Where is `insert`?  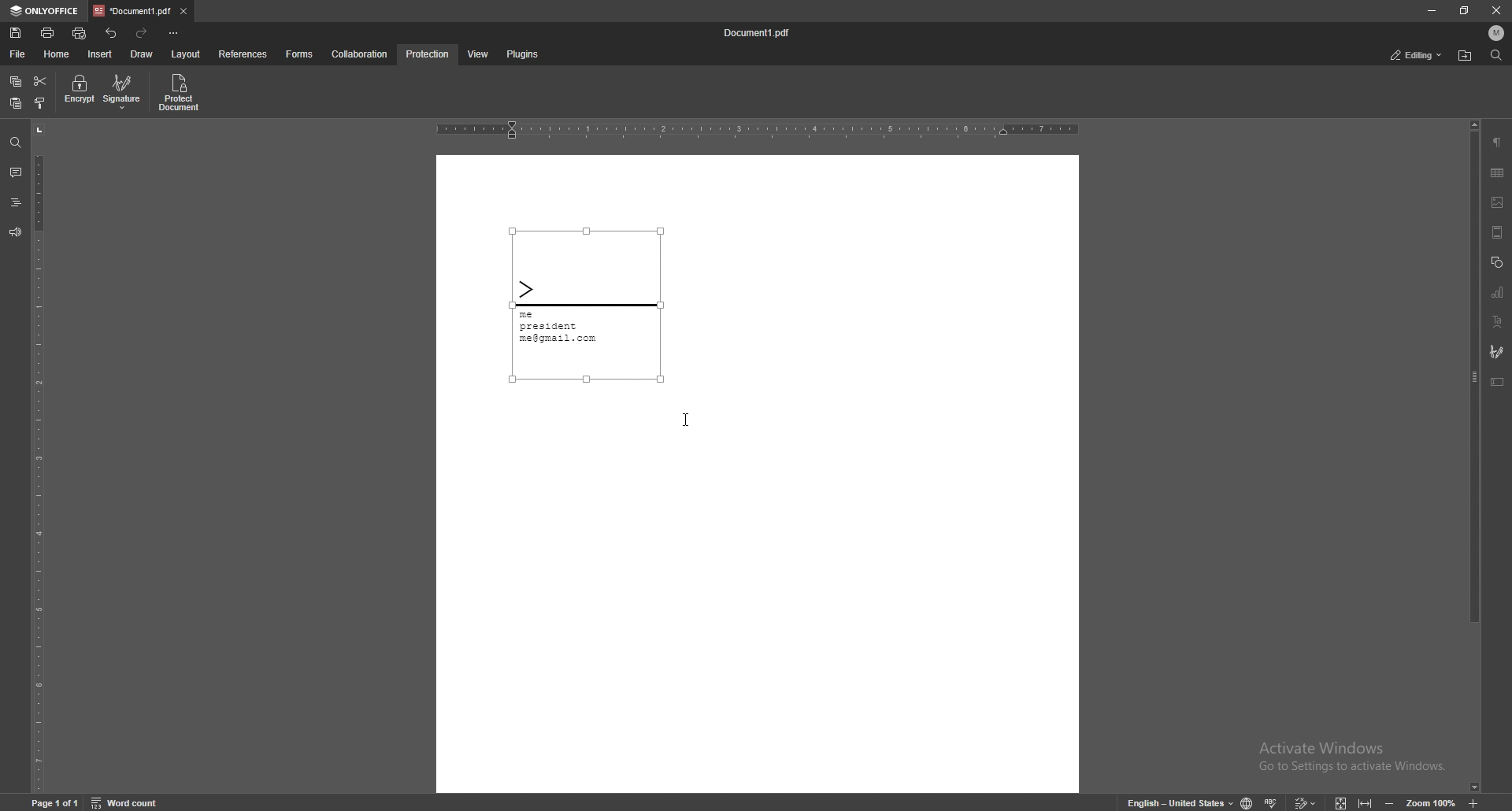
insert is located at coordinates (102, 54).